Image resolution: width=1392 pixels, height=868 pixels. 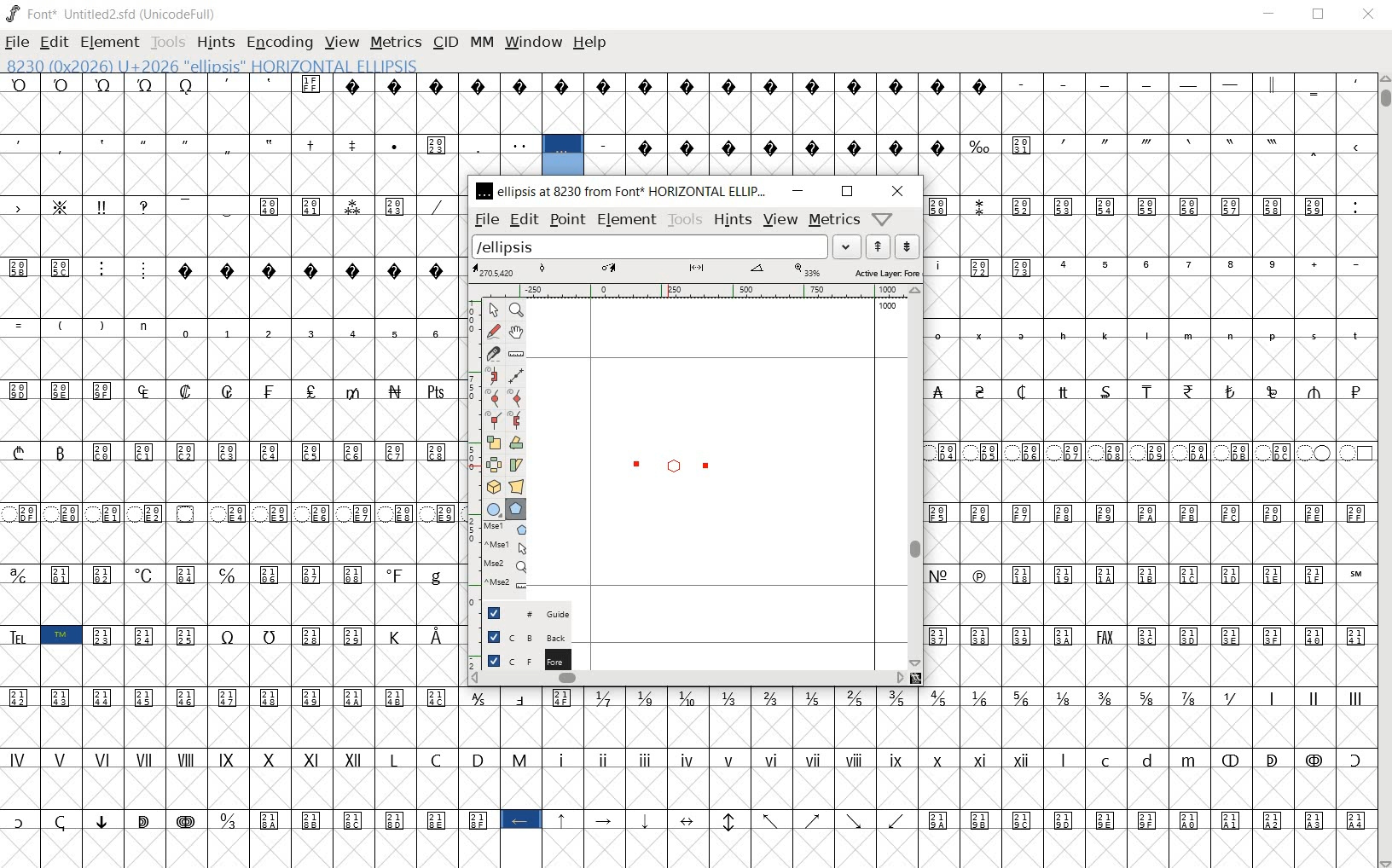 I want to click on minimize, so click(x=797, y=190).